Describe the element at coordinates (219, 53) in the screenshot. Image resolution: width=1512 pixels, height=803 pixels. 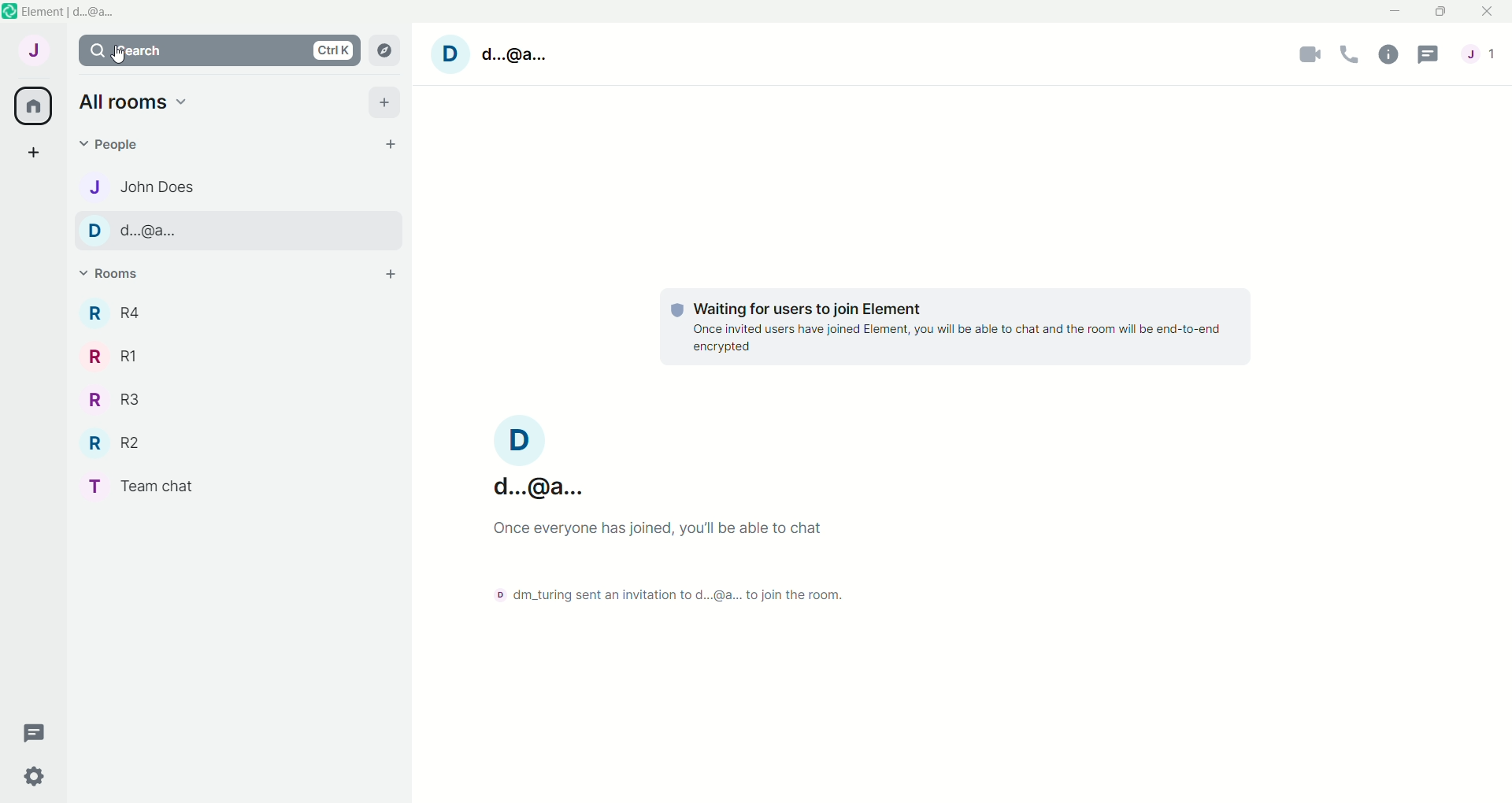
I see `search bar` at that location.